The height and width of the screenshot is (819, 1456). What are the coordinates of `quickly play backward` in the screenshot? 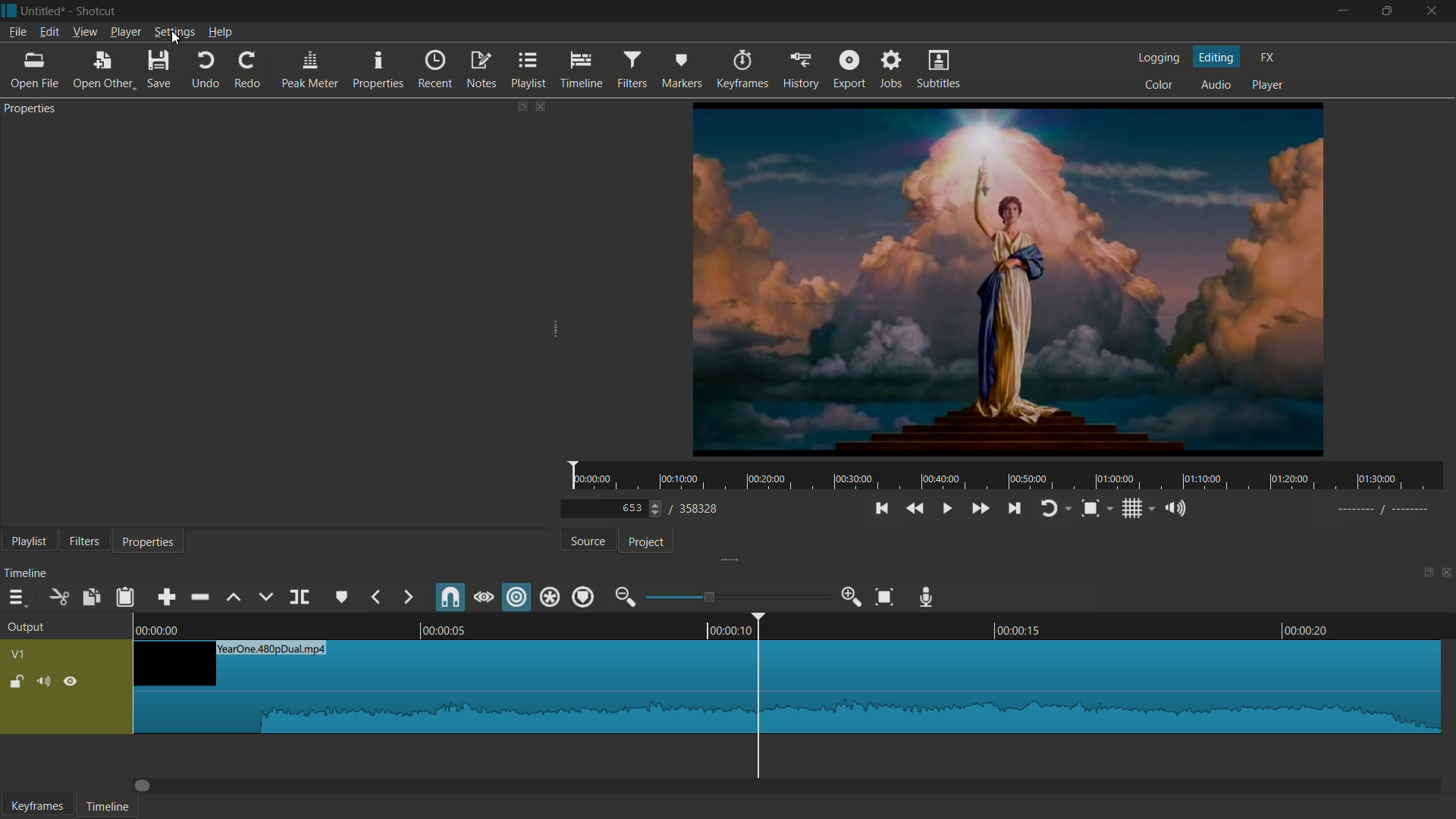 It's located at (914, 507).